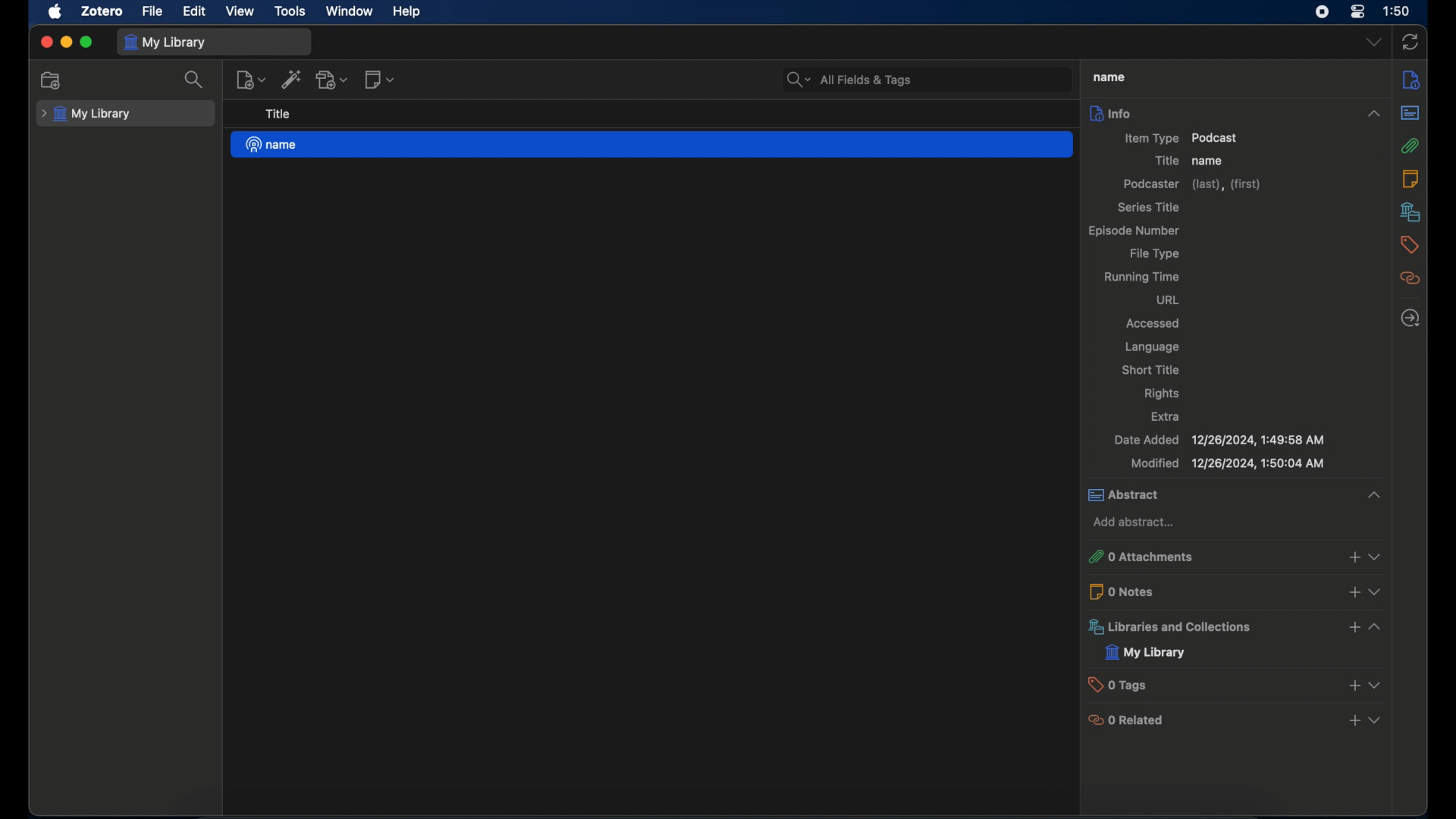  Describe the element at coordinates (1156, 254) in the screenshot. I see `file type` at that location.